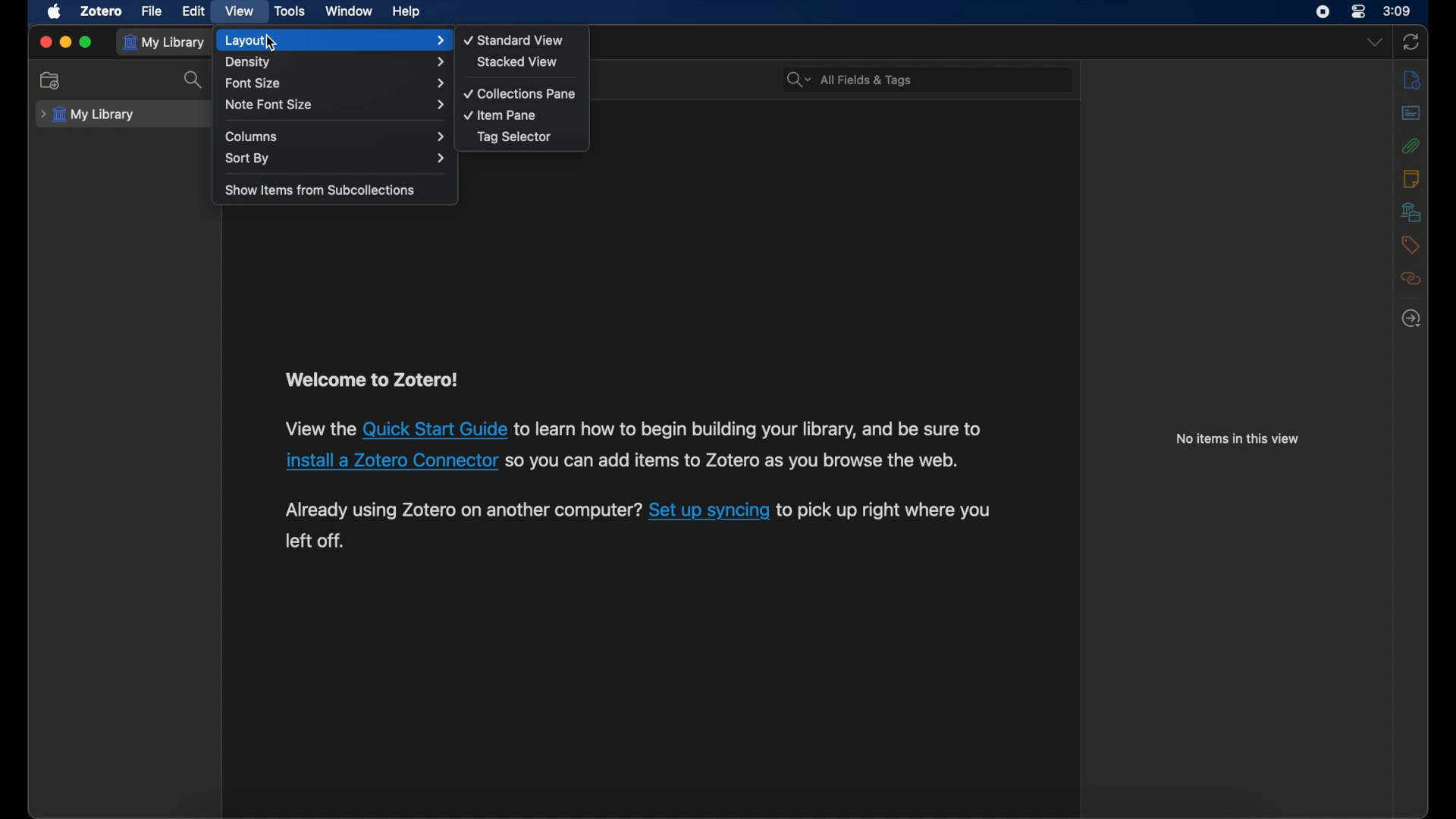  Describe the element at coordinates (334, 40) in the screenshot. I see `layout ` at that location.